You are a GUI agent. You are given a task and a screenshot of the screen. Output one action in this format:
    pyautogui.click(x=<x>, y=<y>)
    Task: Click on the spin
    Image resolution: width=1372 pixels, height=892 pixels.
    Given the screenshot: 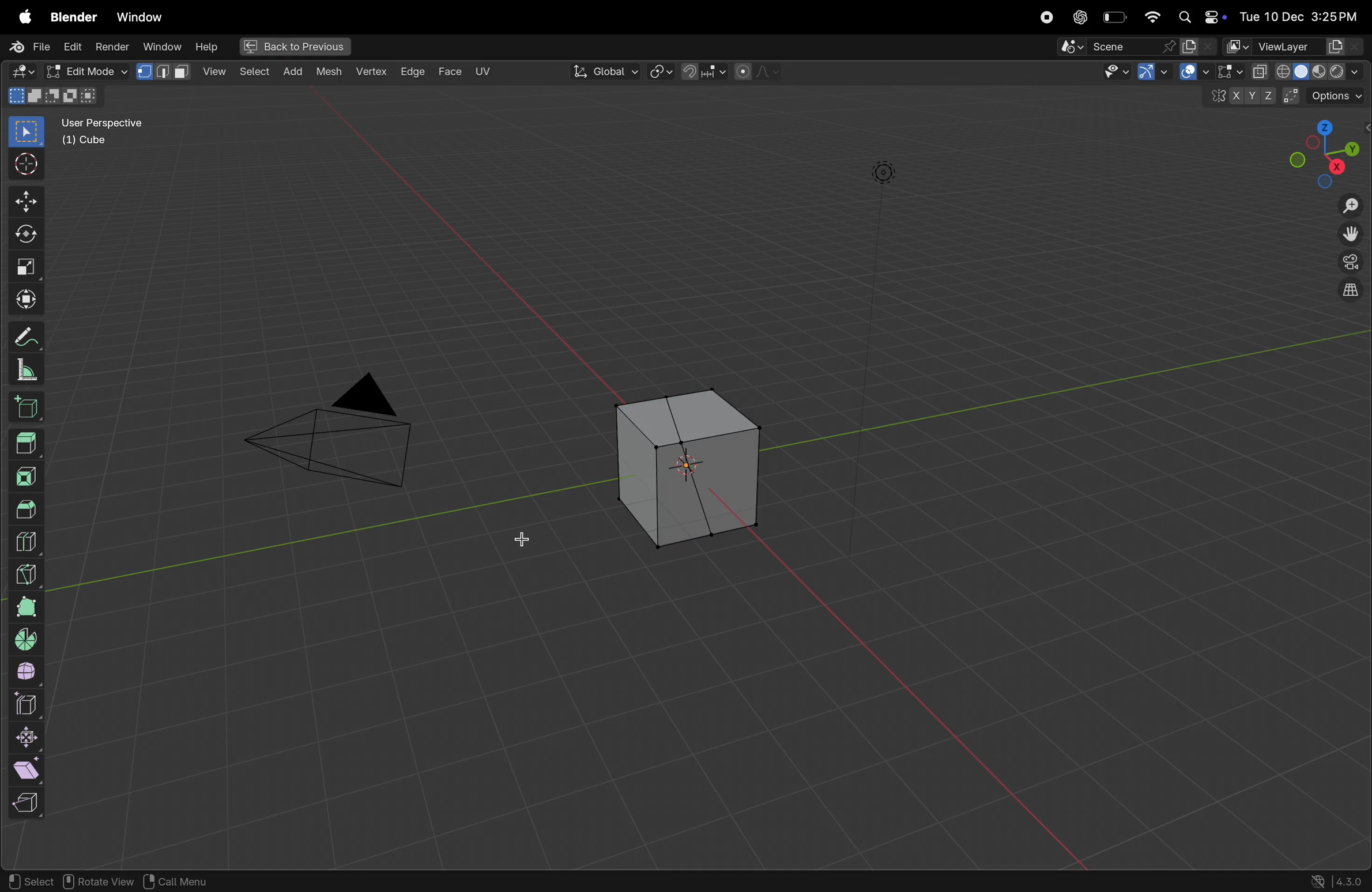 What is the action you would take?
    pyautogui.click(x=28, y=641)
    